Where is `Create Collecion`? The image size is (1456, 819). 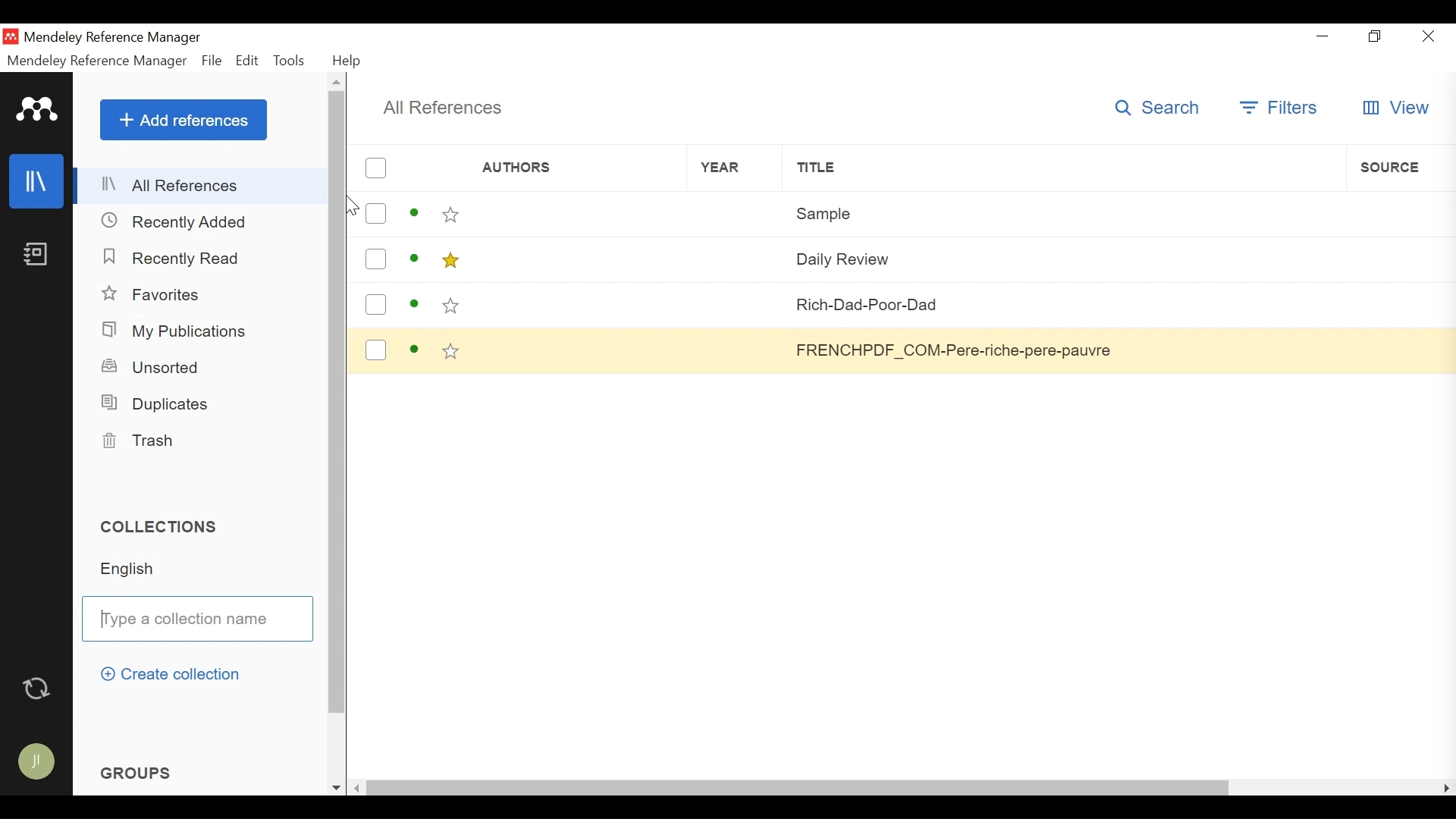
Create Collecion is located at coordinates (169, 674).